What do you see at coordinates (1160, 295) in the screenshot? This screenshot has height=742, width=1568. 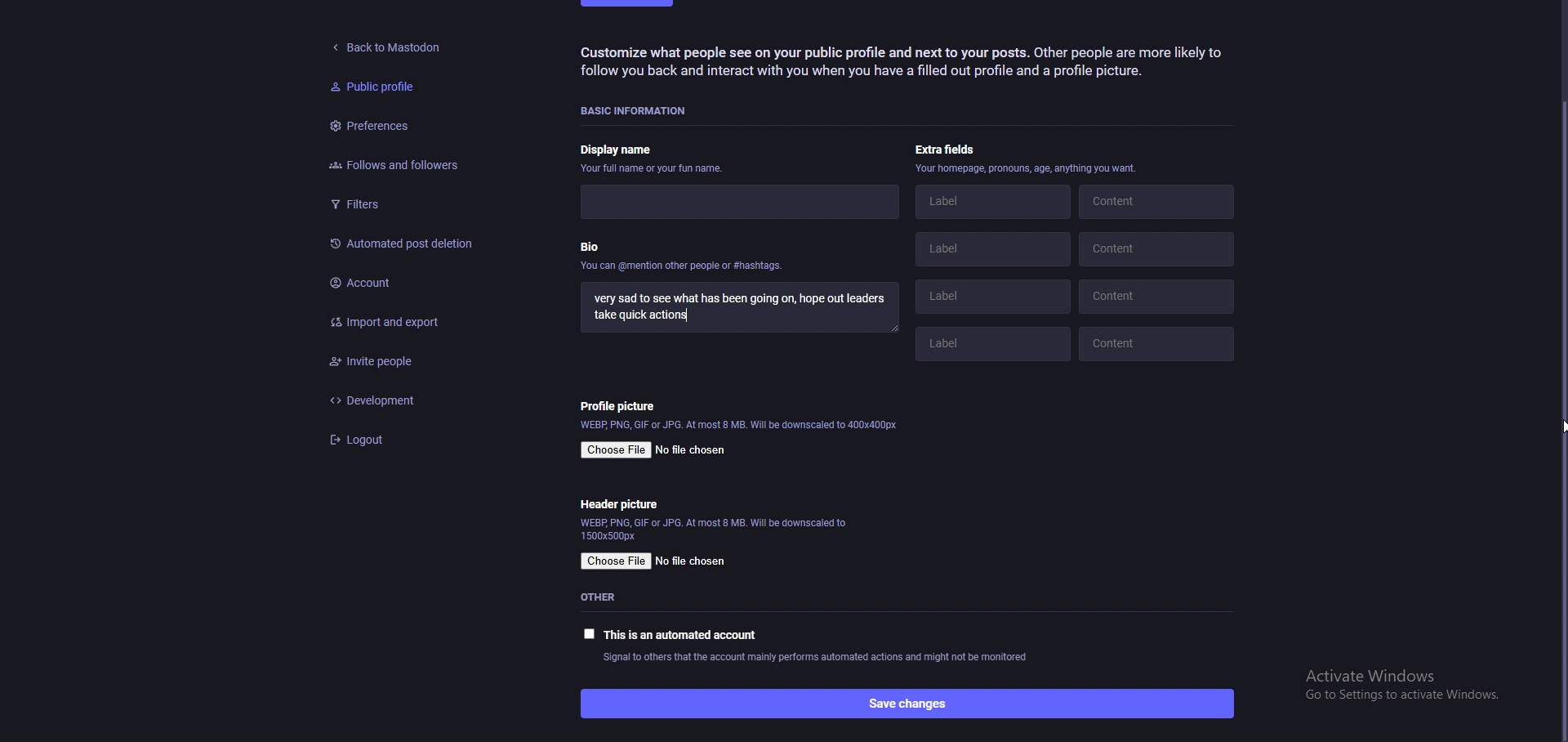 I see `content` at bounding box center [1160, 295].